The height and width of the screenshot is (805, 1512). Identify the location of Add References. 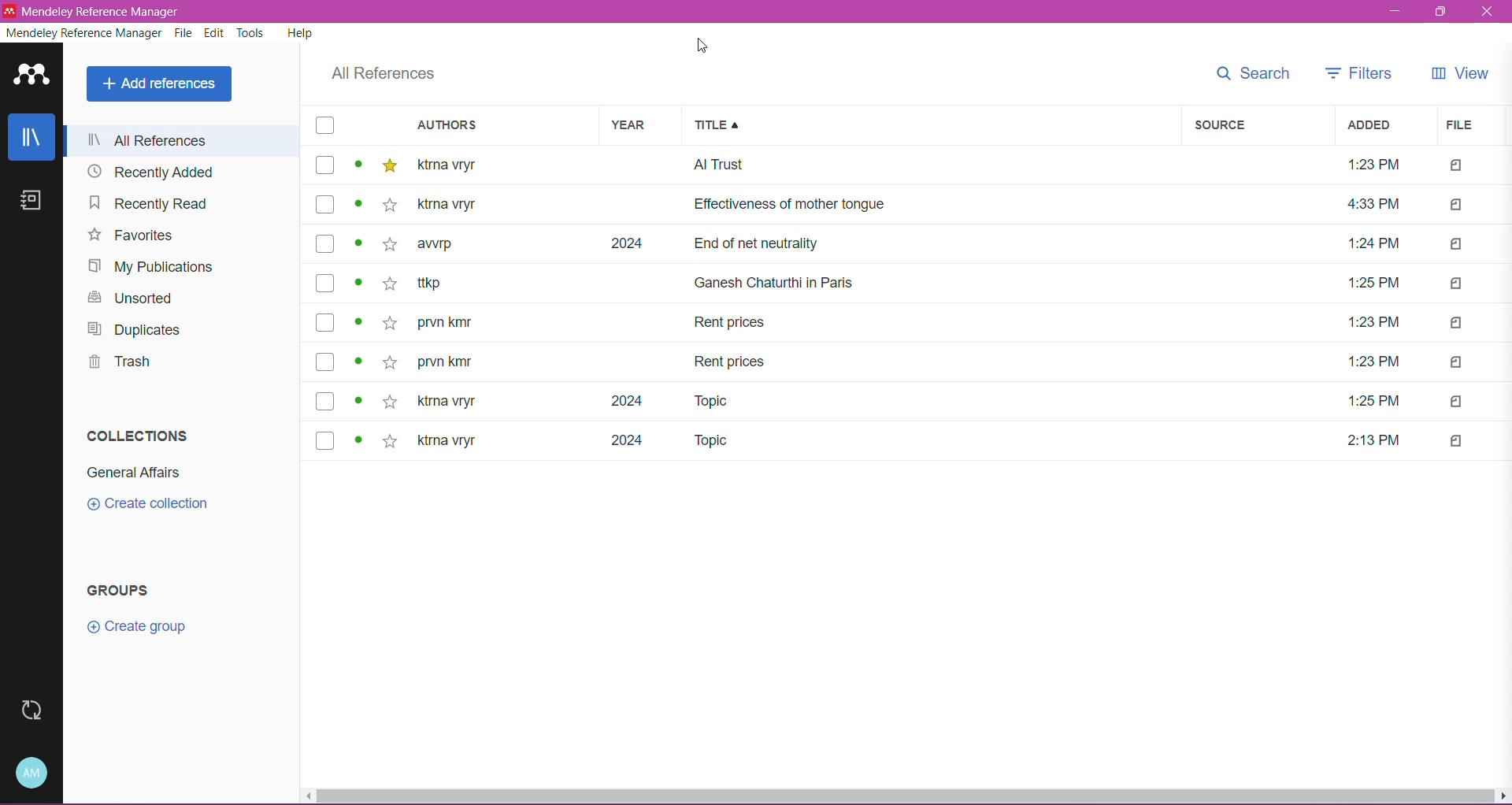
(159, 84).